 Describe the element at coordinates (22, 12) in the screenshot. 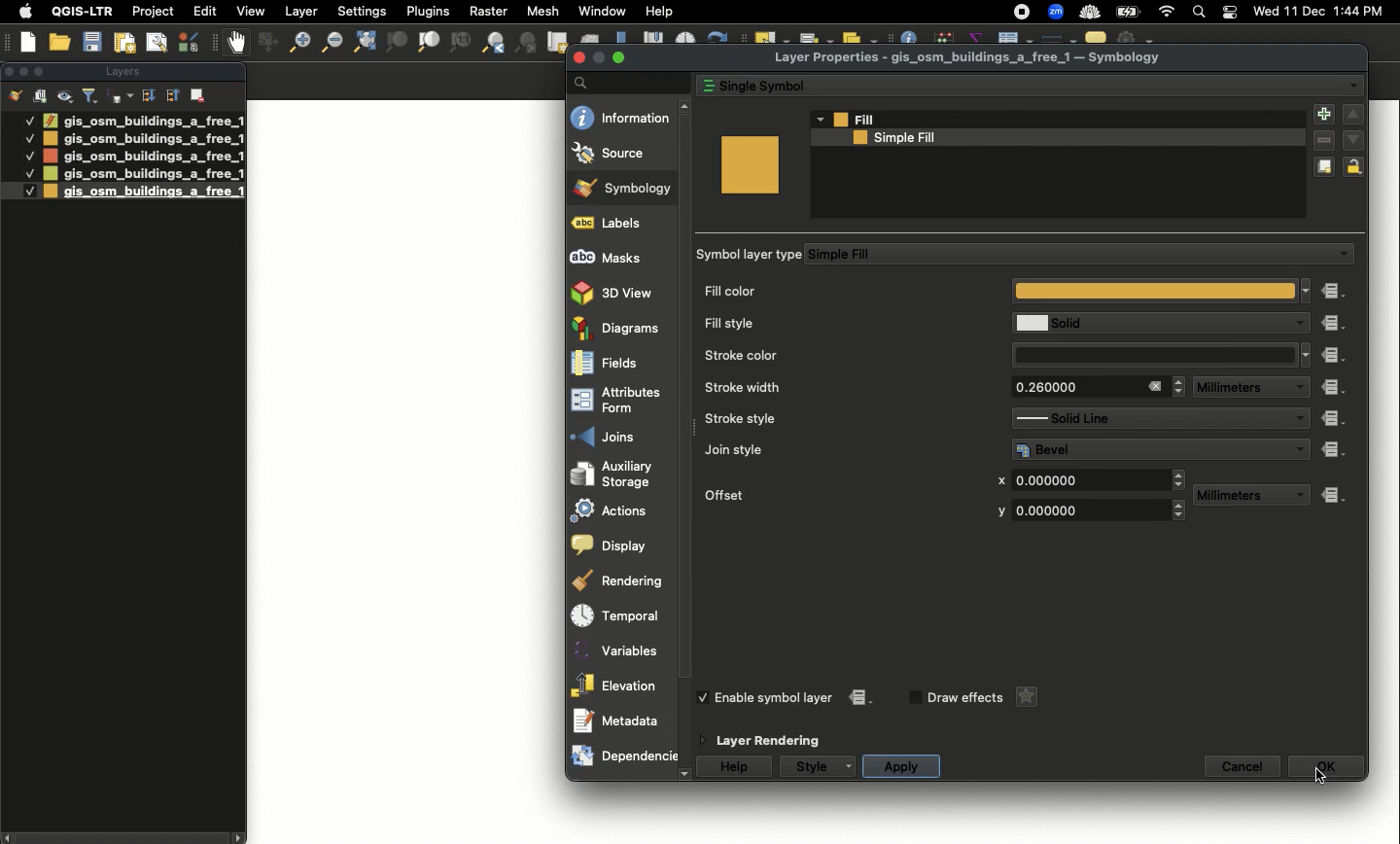

I see `Apple` at that location.